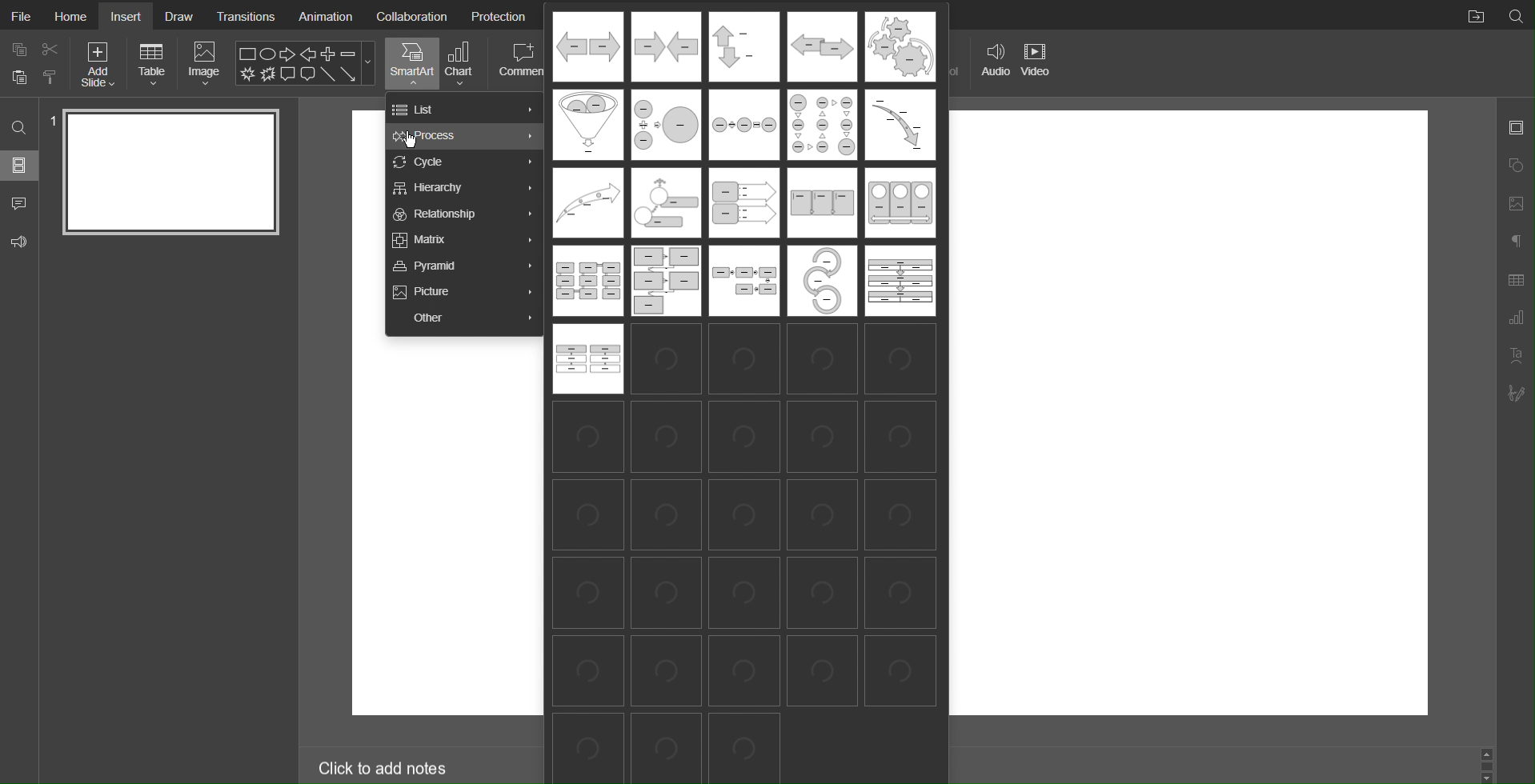 The width and height of the screenshot is (1535, 784). What do you see at coordinates (205, 63) in the screenshot?
I see `Image` at bounding box center [205, 63].